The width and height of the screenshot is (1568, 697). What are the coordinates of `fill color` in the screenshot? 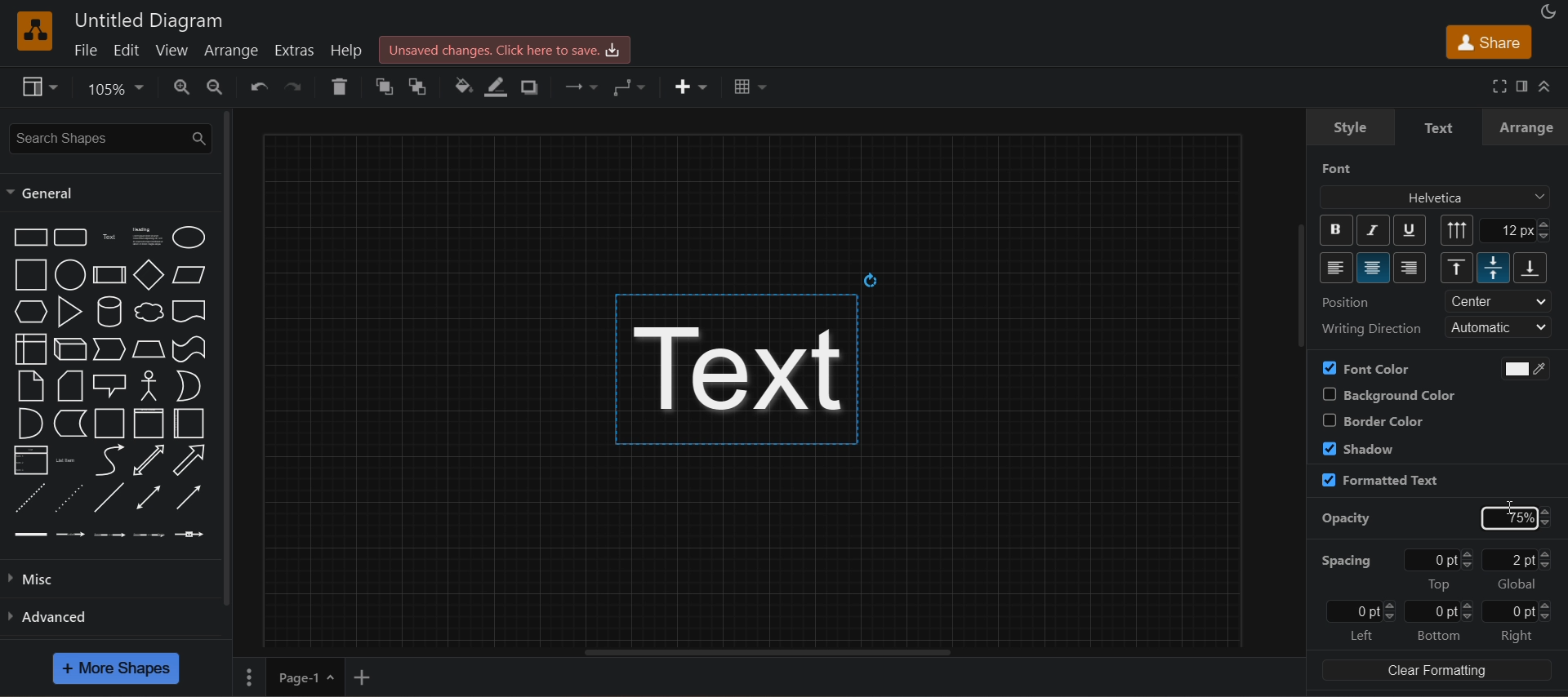 It's located at (461, 87).